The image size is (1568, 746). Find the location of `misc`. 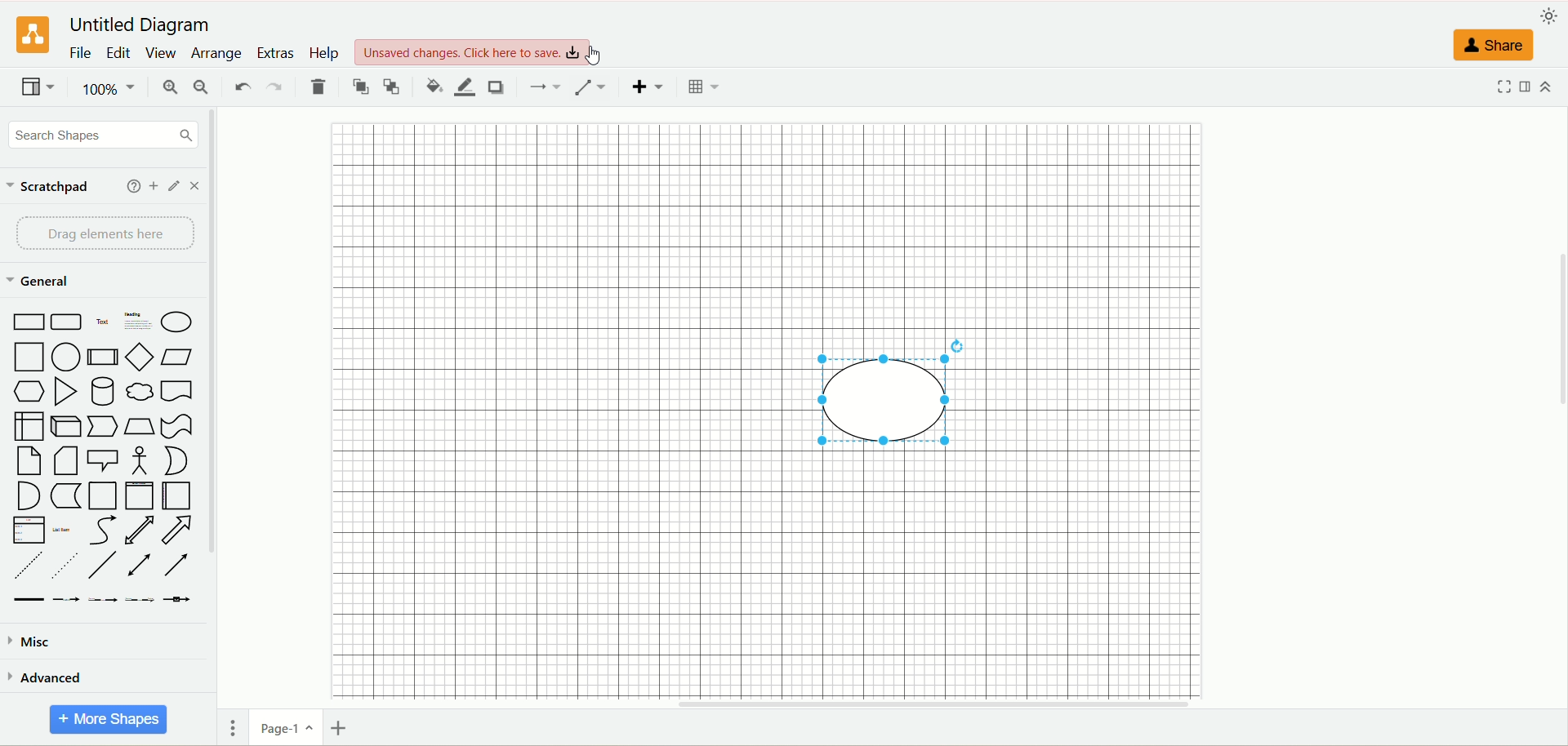

misc is located at coordinates (32, 643).